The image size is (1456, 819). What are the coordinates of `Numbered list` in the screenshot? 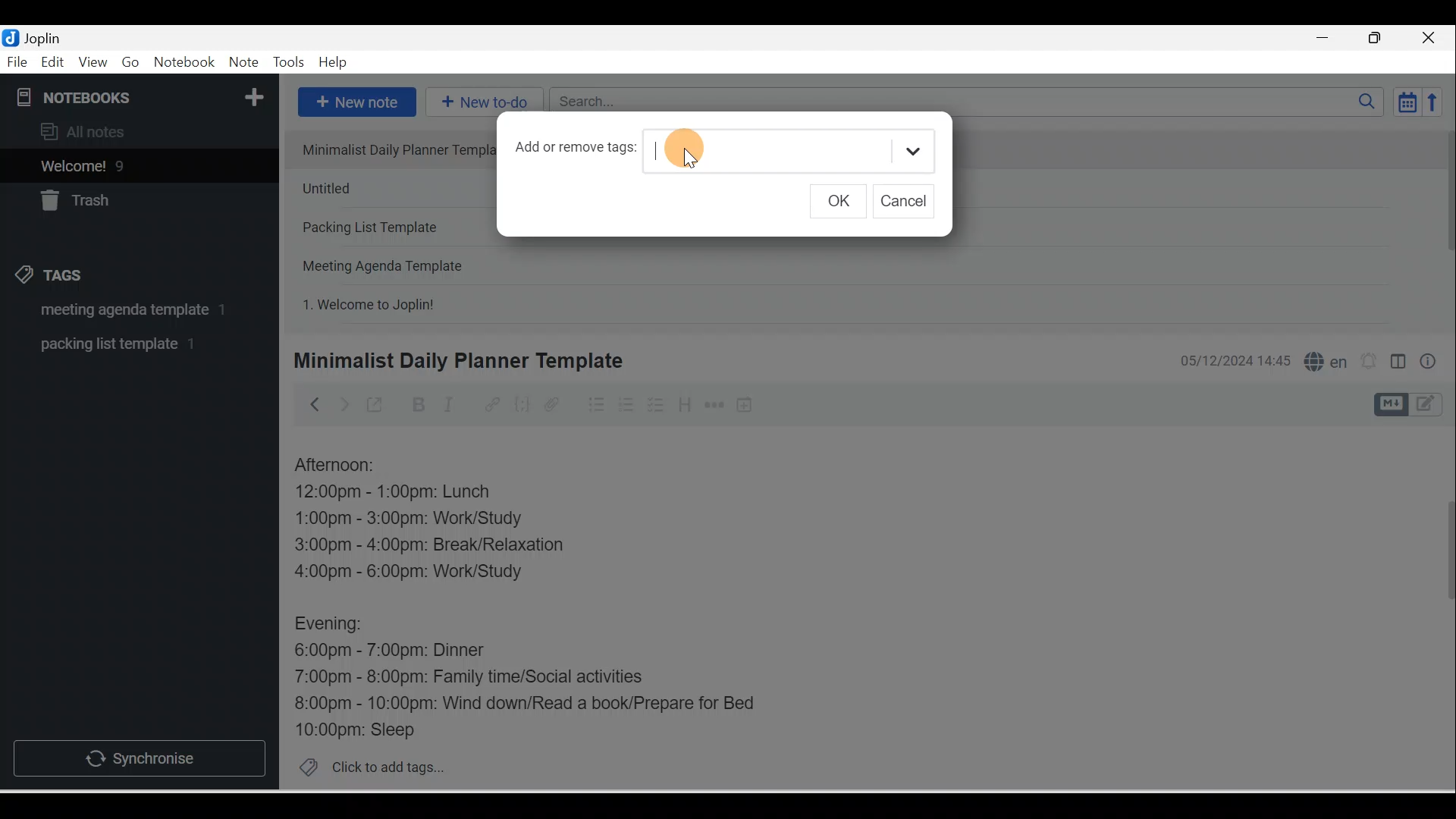 It's located at (626, 404).